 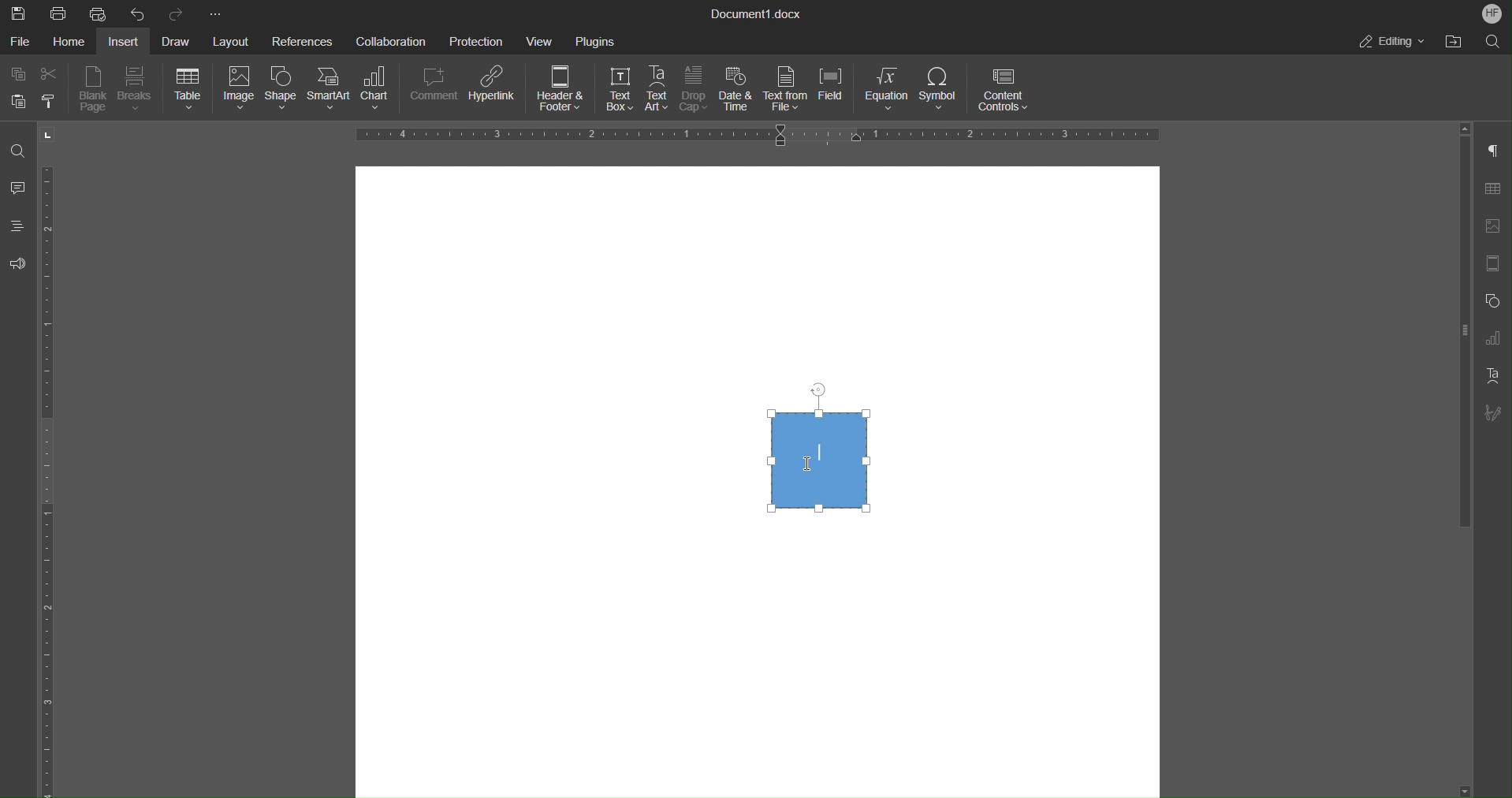 I want to click on Text Box, so click(x=614, y=91).